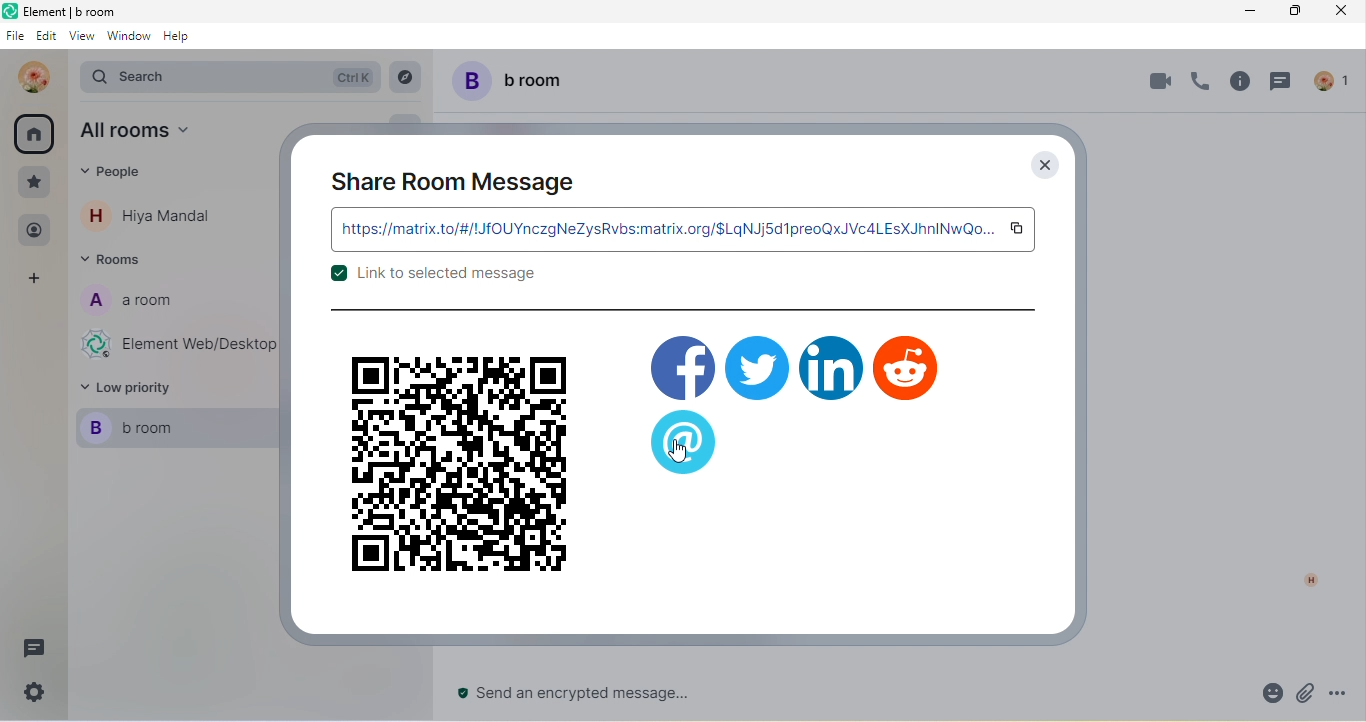 The height and width of the screenshot is (722, 1366). What do you see at coordinates (432, 279) in the screenshot?
I see `link to selected message` at bounding box center [432, 279].